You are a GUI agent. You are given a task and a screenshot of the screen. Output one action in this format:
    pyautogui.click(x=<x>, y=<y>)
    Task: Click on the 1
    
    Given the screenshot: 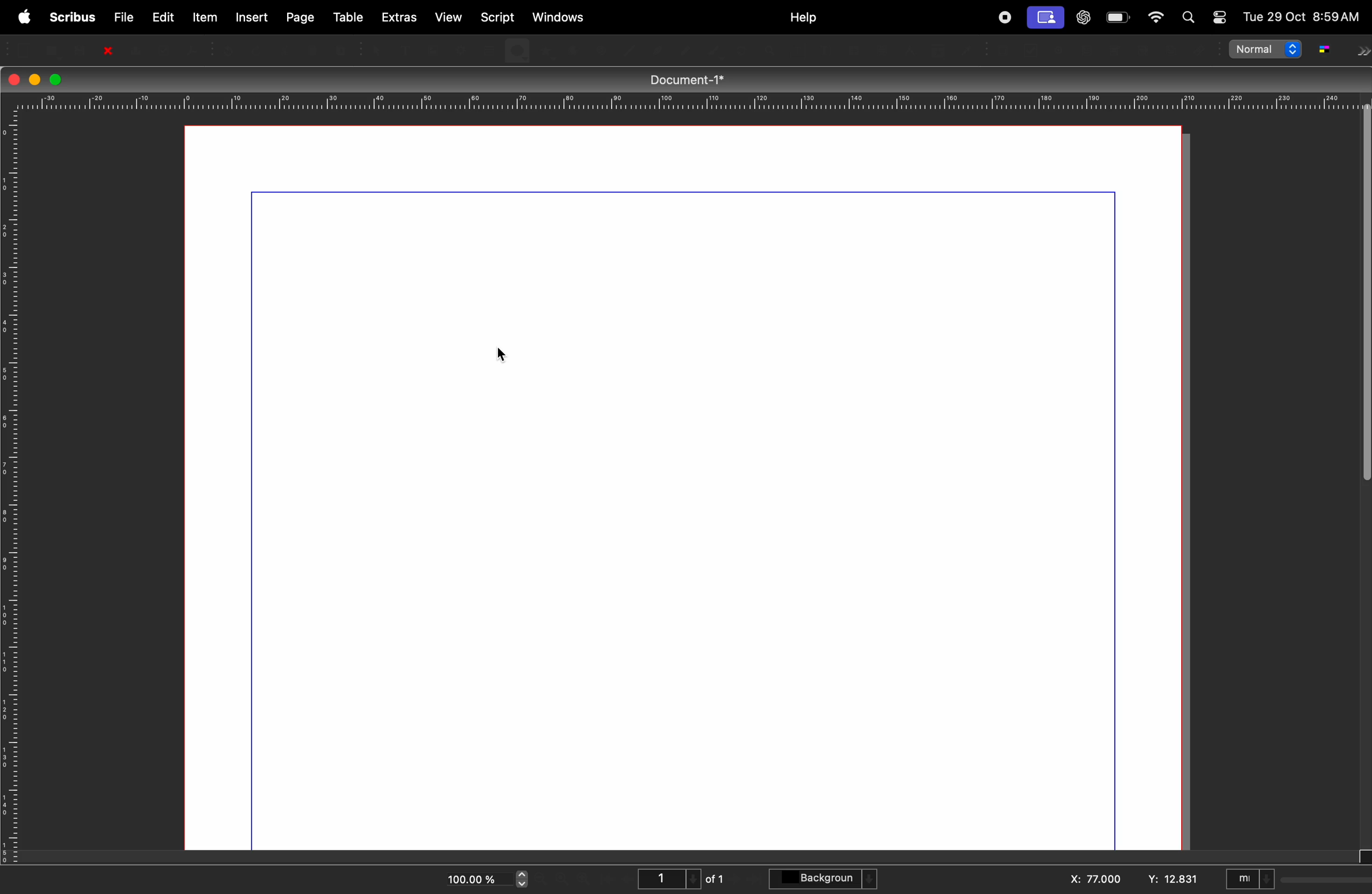 What is the action you would take?
    pyautogui.click(x=666, y=877)
    